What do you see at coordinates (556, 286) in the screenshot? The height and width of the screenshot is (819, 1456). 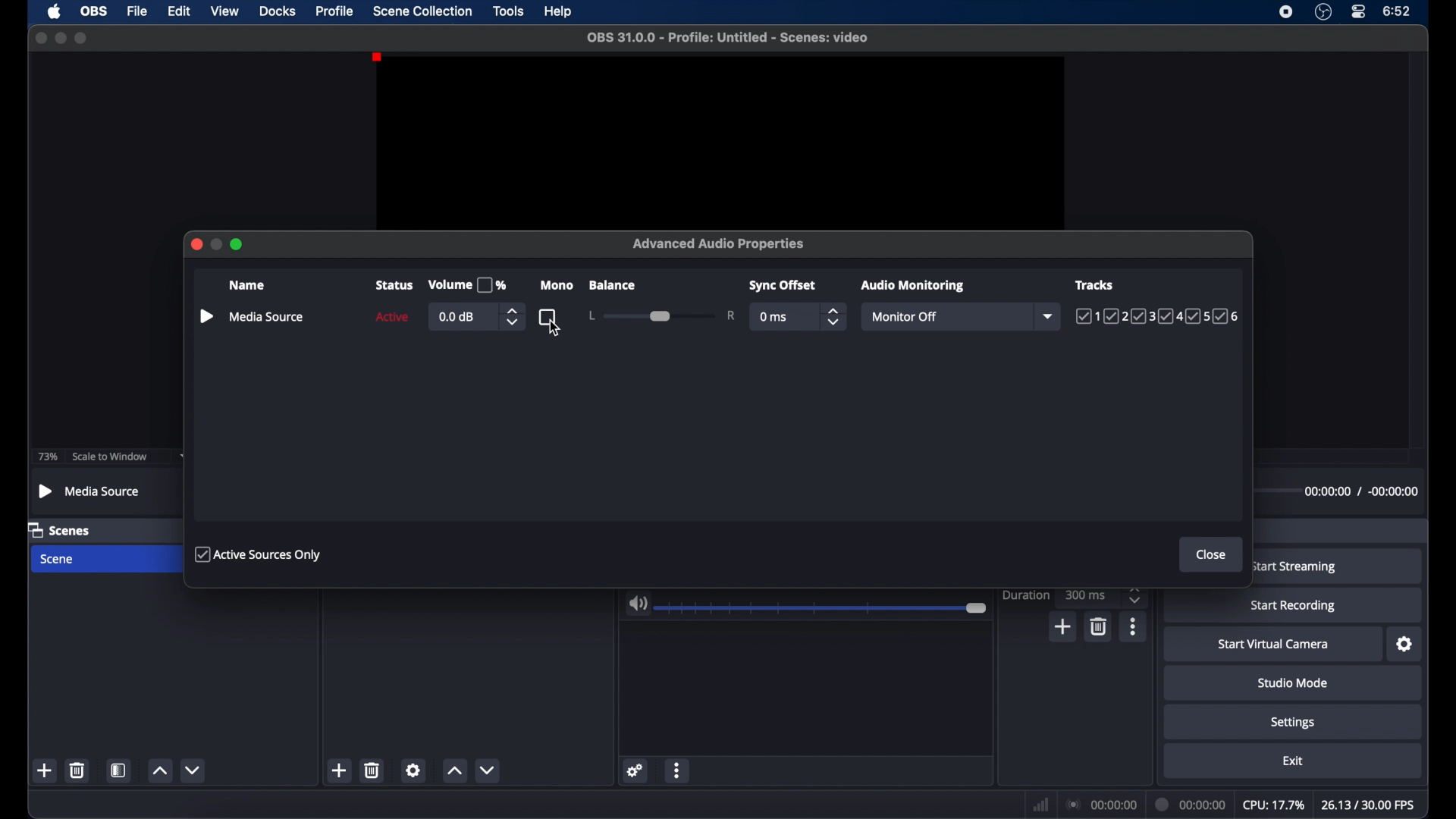 I see `mono` at bounding box center [556, 286].